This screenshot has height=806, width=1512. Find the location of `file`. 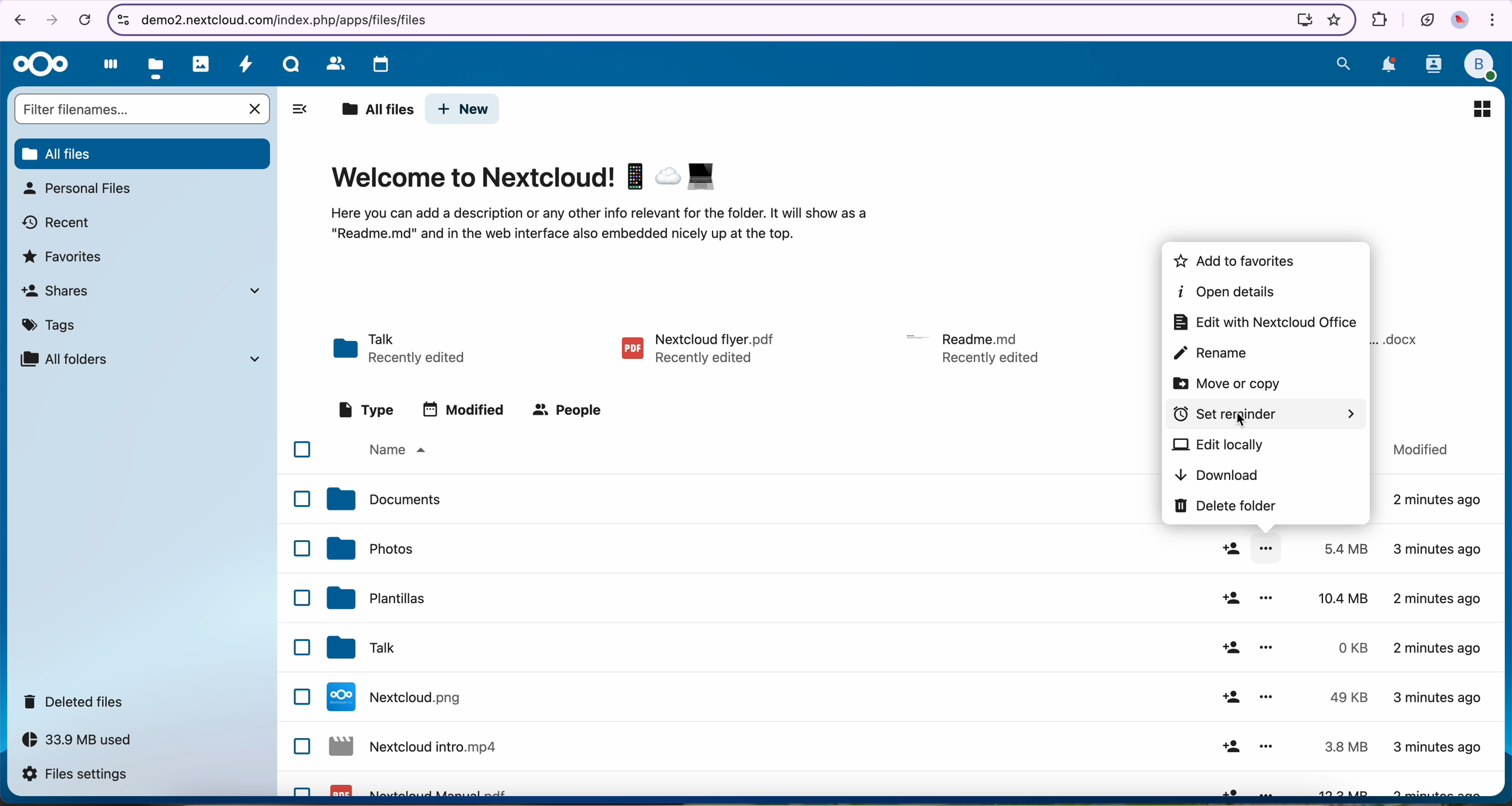

file is located at coordinates (971, 346).